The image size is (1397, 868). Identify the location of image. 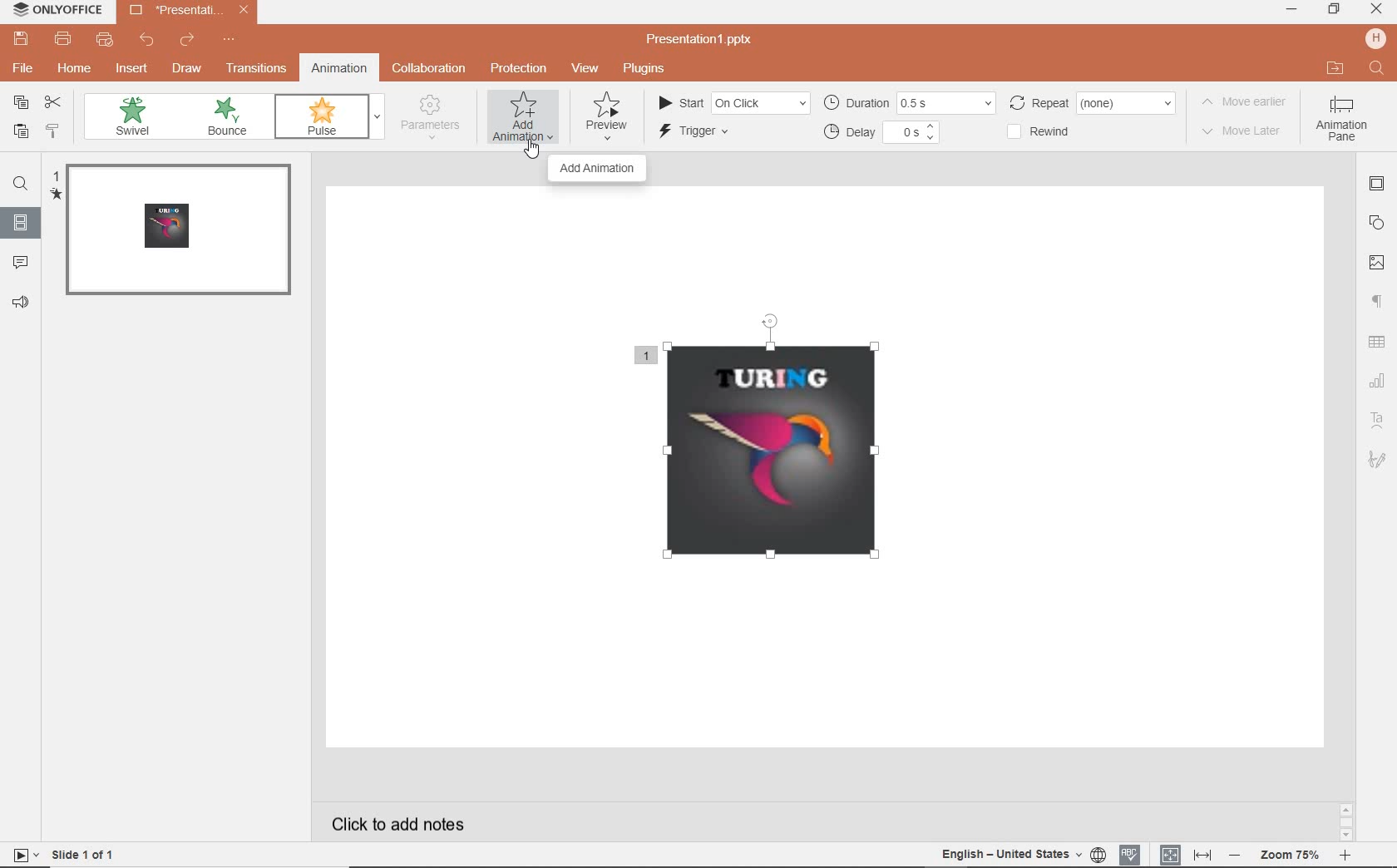
(1379, 264).